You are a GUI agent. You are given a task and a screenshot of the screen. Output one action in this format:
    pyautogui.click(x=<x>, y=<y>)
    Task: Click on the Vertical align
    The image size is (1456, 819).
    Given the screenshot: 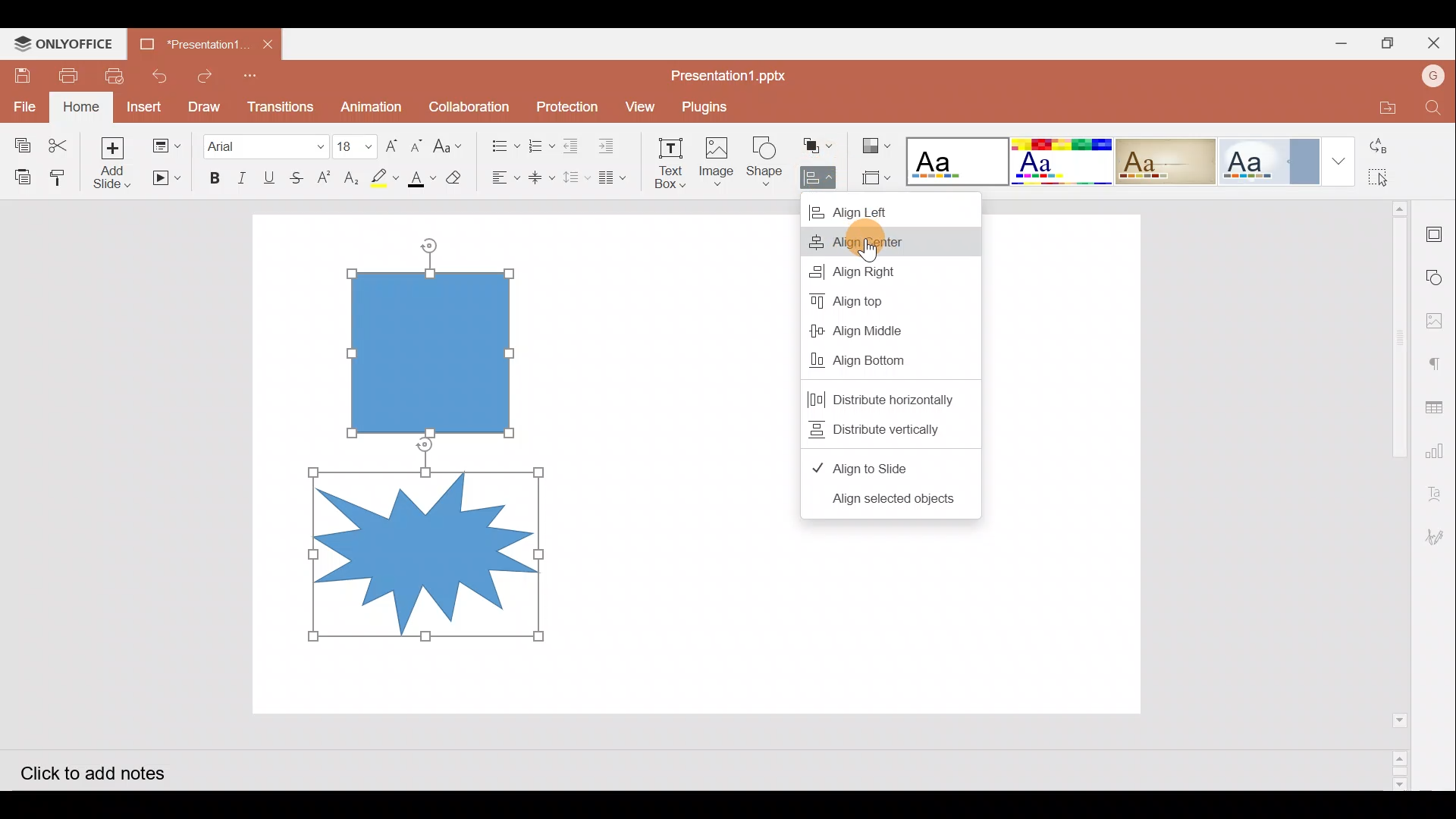 What is the action you would take?
    pyautogui.click(x=540, y=173)
    